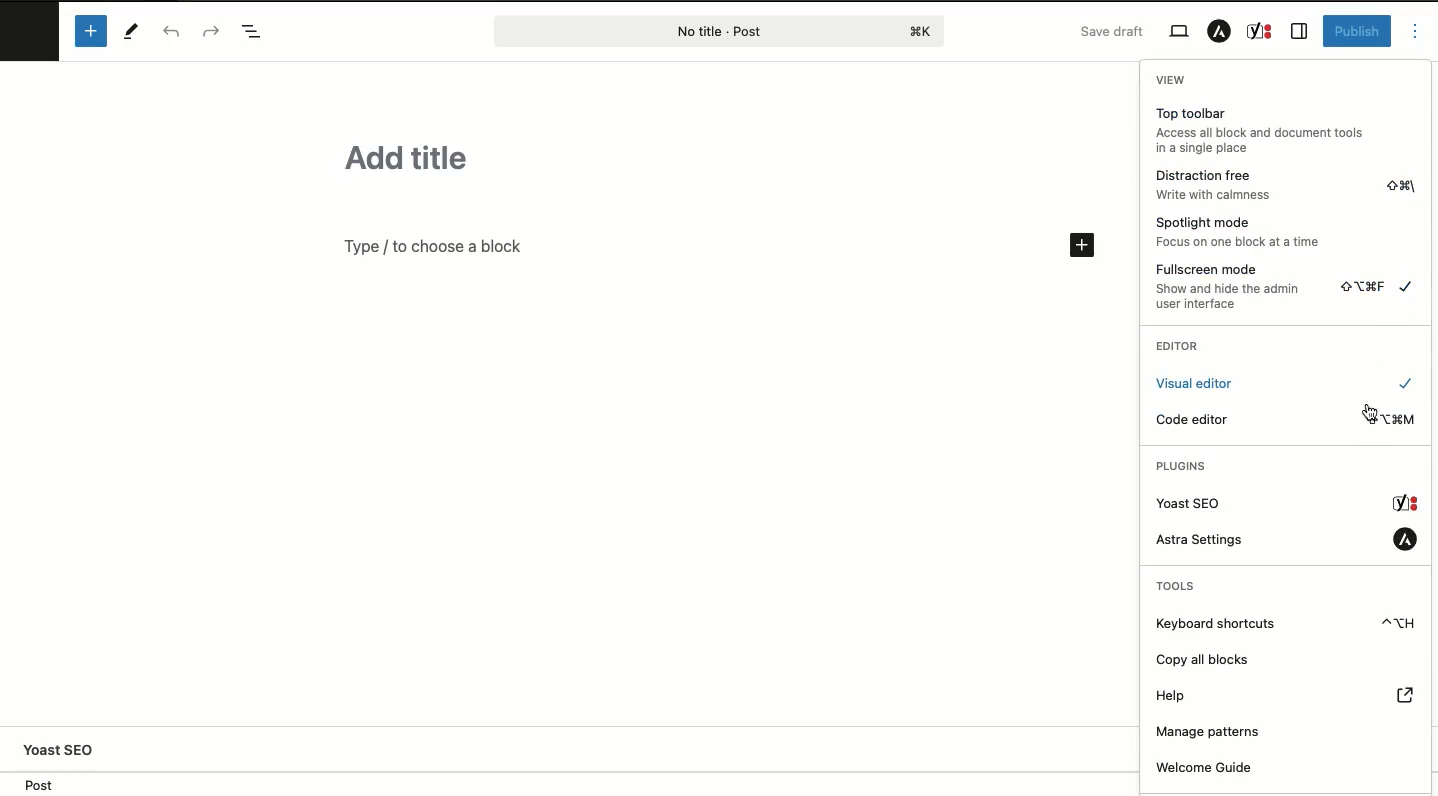 Image resolution: width=1438 pixels, height=796 pixels. Describe the element at coordinates (570, 786) in the screenshot. I see `Location` at that location.